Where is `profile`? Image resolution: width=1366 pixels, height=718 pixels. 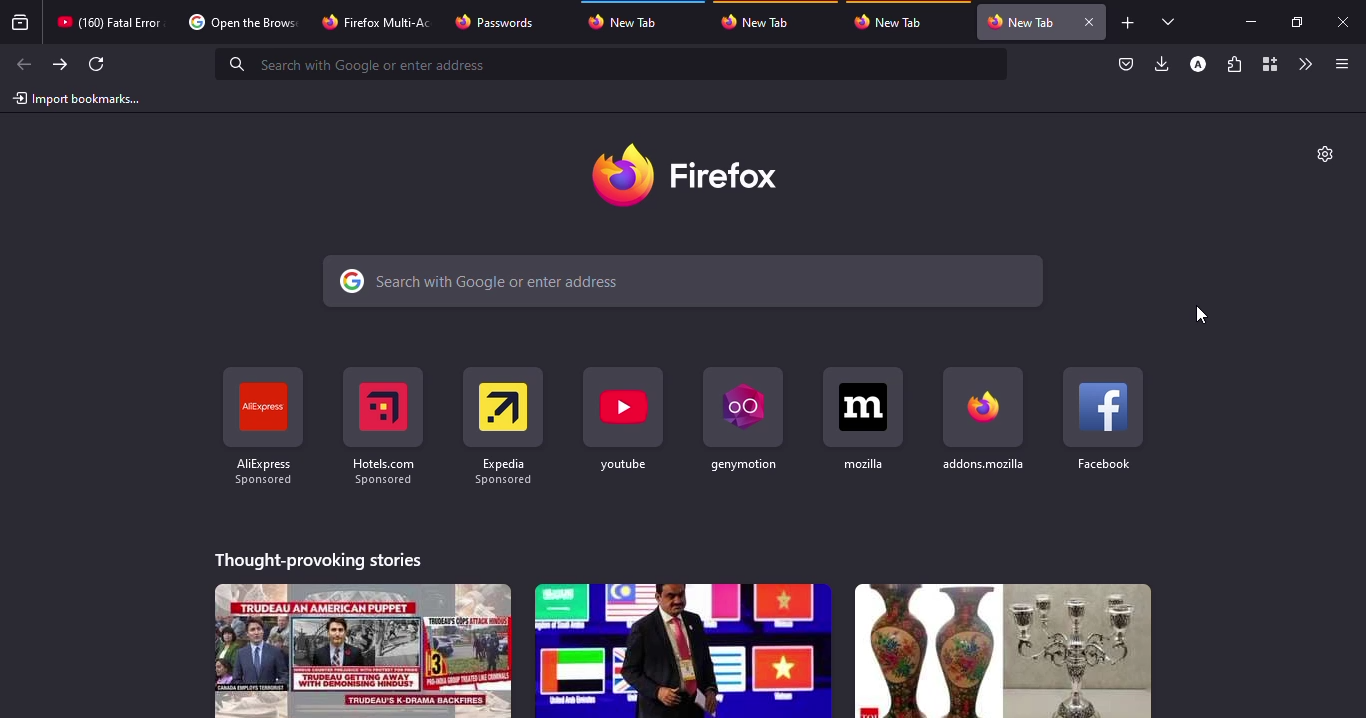
profile is located at coordinates (1197, 64).